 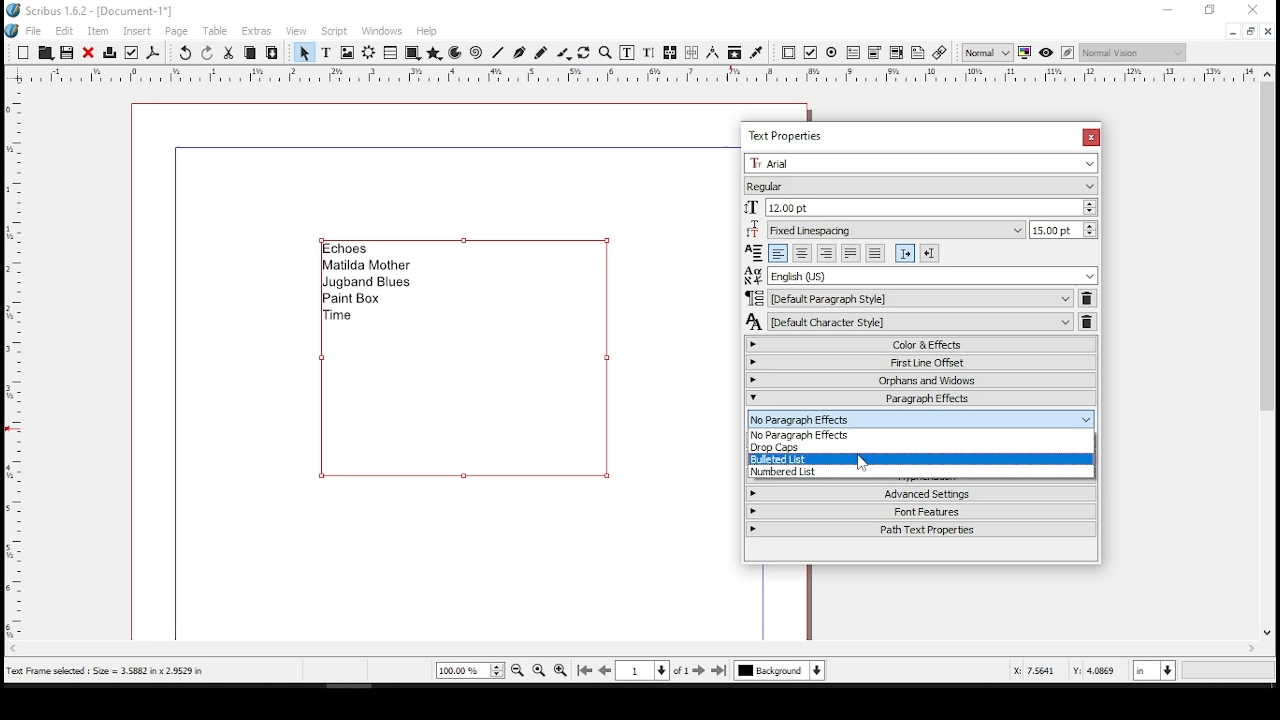 What do you see at coordinates (922, 362) in the screenshot?
I see `first line offset` at bounding box center [922, 362].